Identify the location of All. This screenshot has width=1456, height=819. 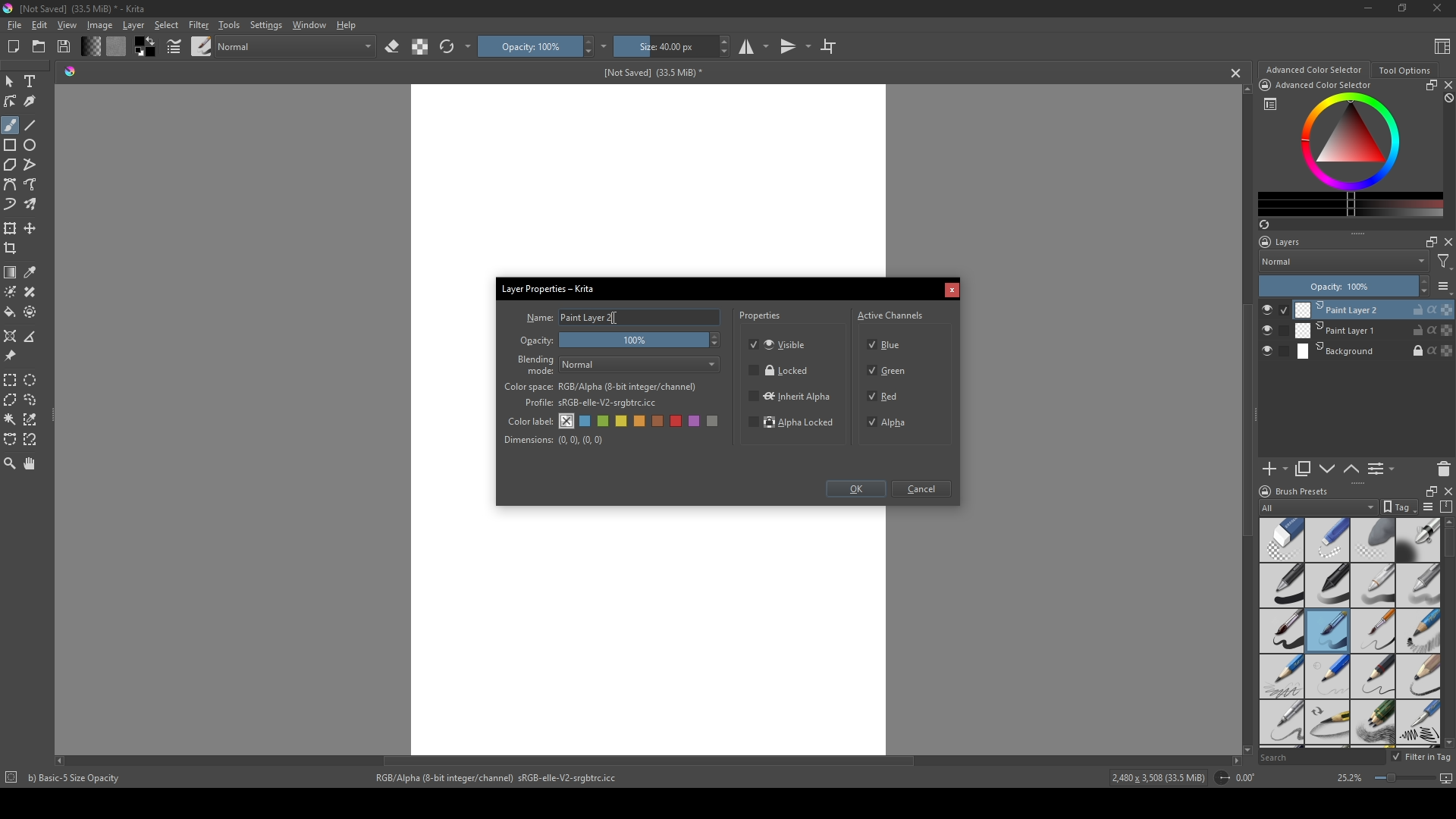
(1318, 507).